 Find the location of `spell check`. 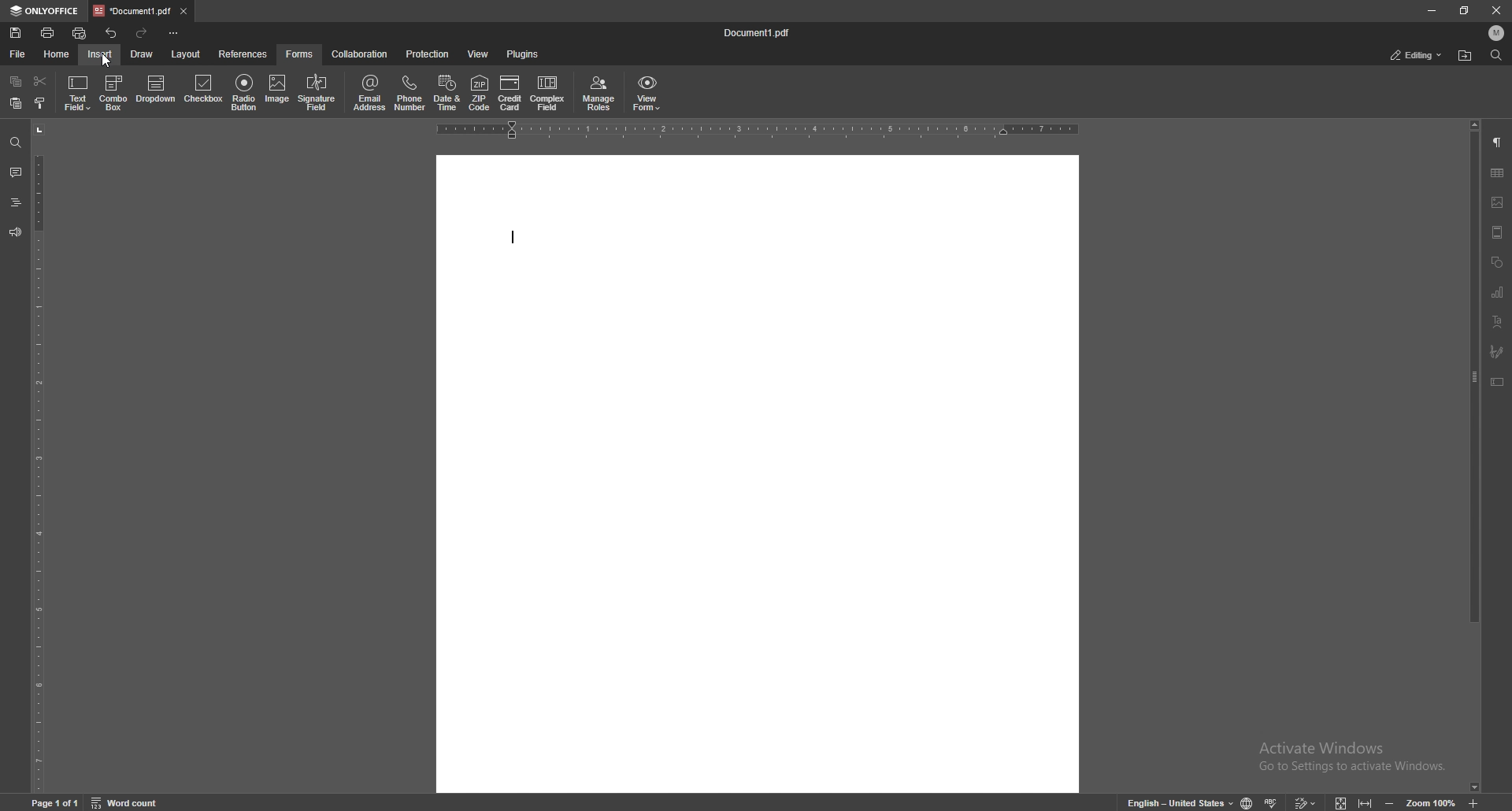

spell check is located at coordinates (1272, 802).